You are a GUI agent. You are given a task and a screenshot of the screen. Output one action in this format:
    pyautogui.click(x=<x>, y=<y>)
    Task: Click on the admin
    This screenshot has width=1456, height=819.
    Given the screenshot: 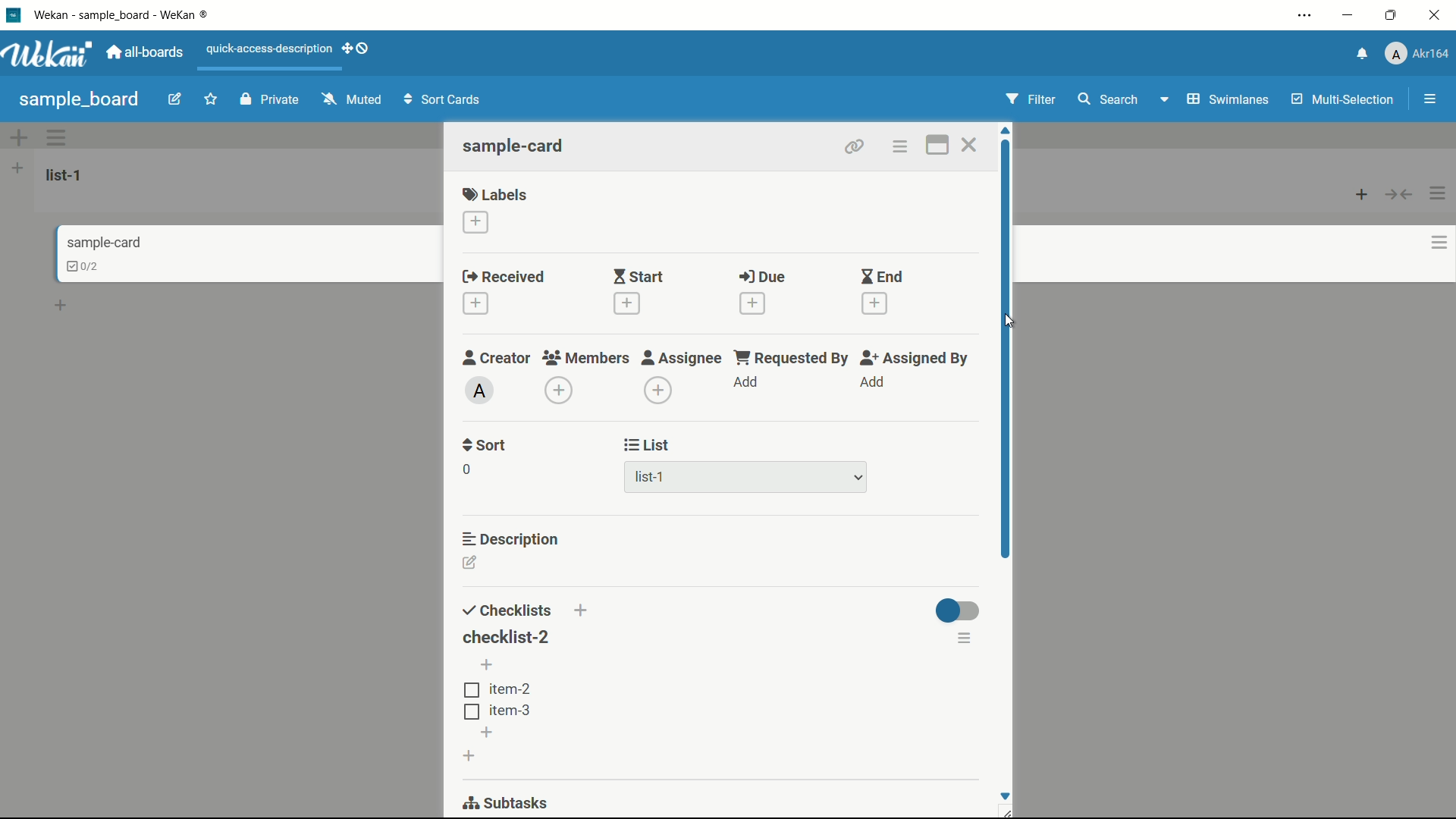 What is the action you would take?
    pyautogui.click(x=479, y=391)
    